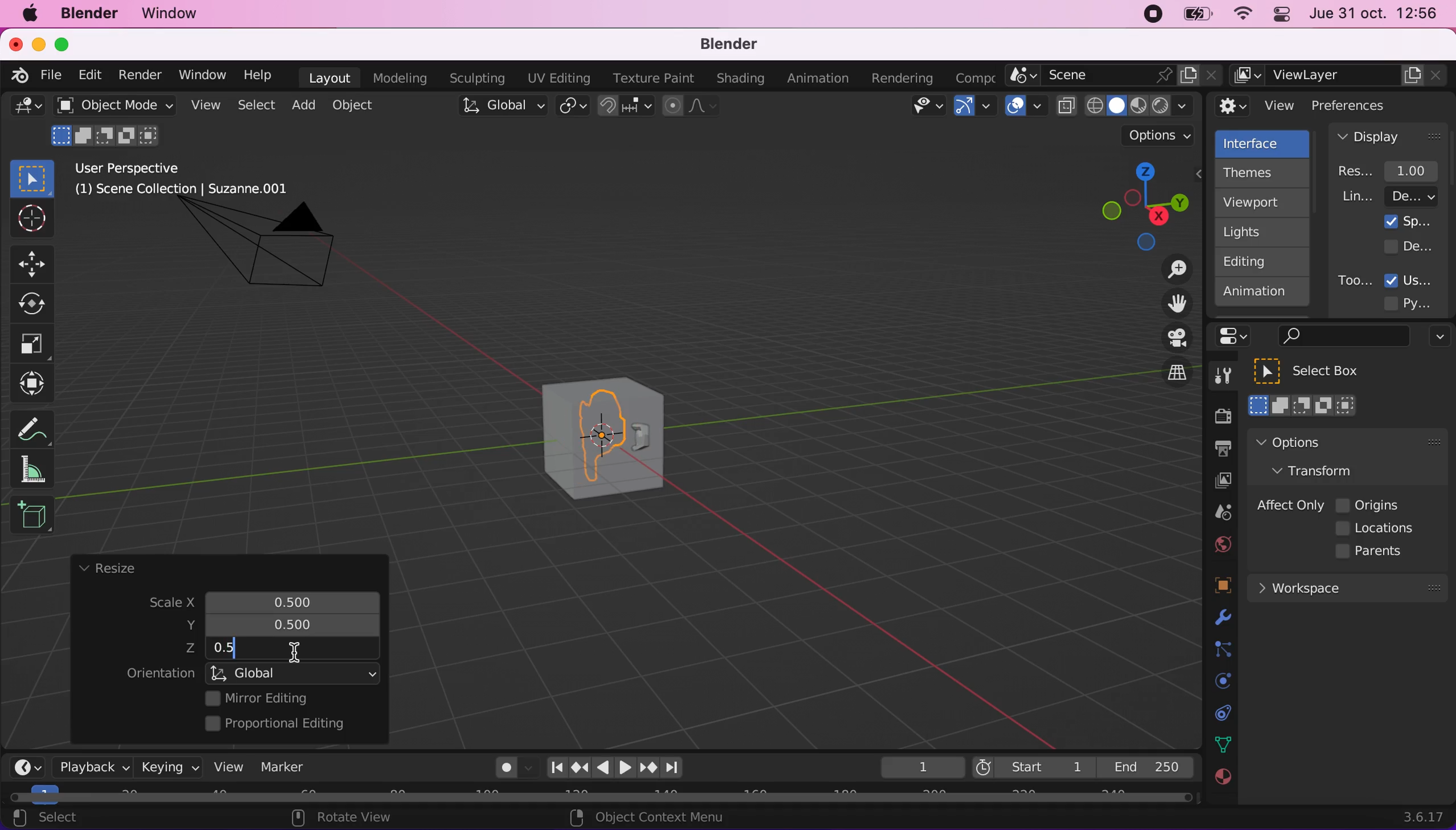 This screenshot has height=830, width=1456. What do you see at coordinates (1169, 339) in the screenshot?
I see `toggle the camera view` at bounding box center [1169, 339].